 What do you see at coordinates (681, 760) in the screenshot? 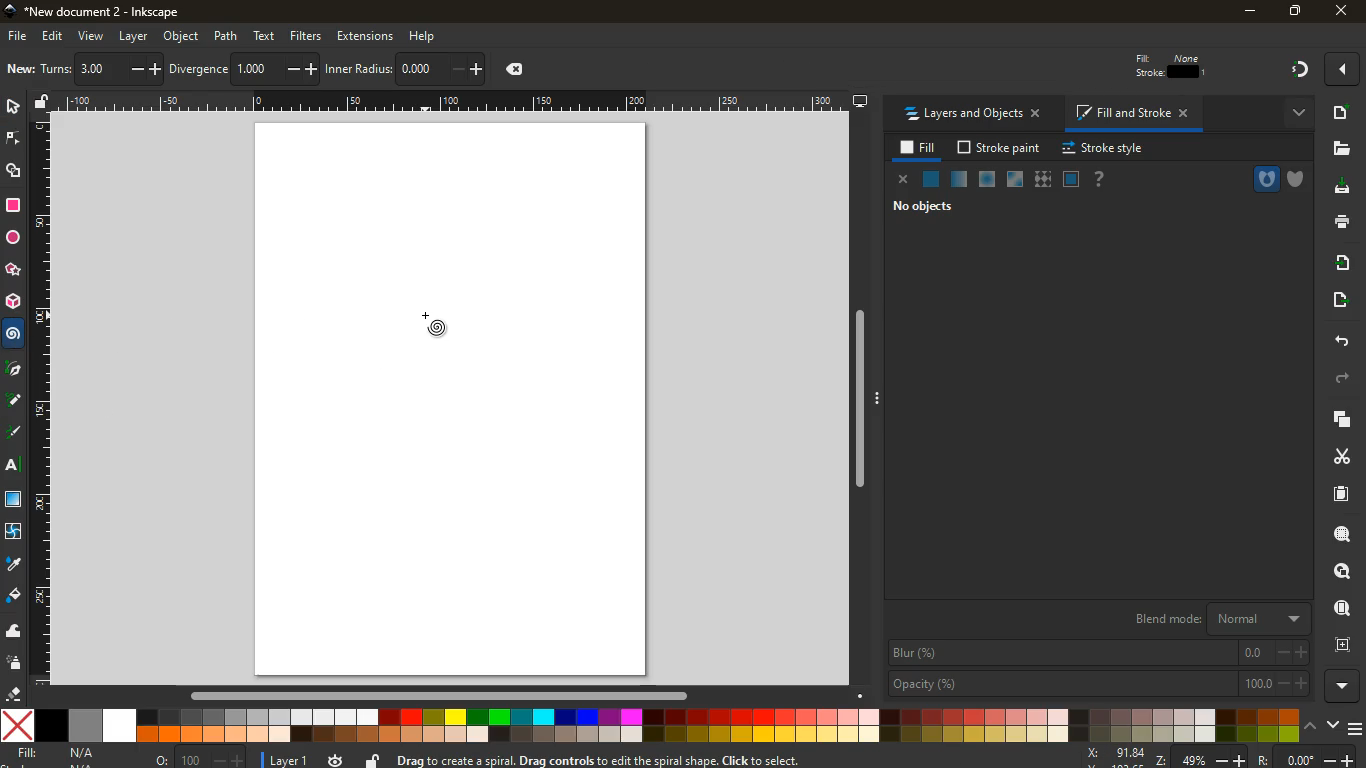
I see `message` at bounding box center [681, 760].